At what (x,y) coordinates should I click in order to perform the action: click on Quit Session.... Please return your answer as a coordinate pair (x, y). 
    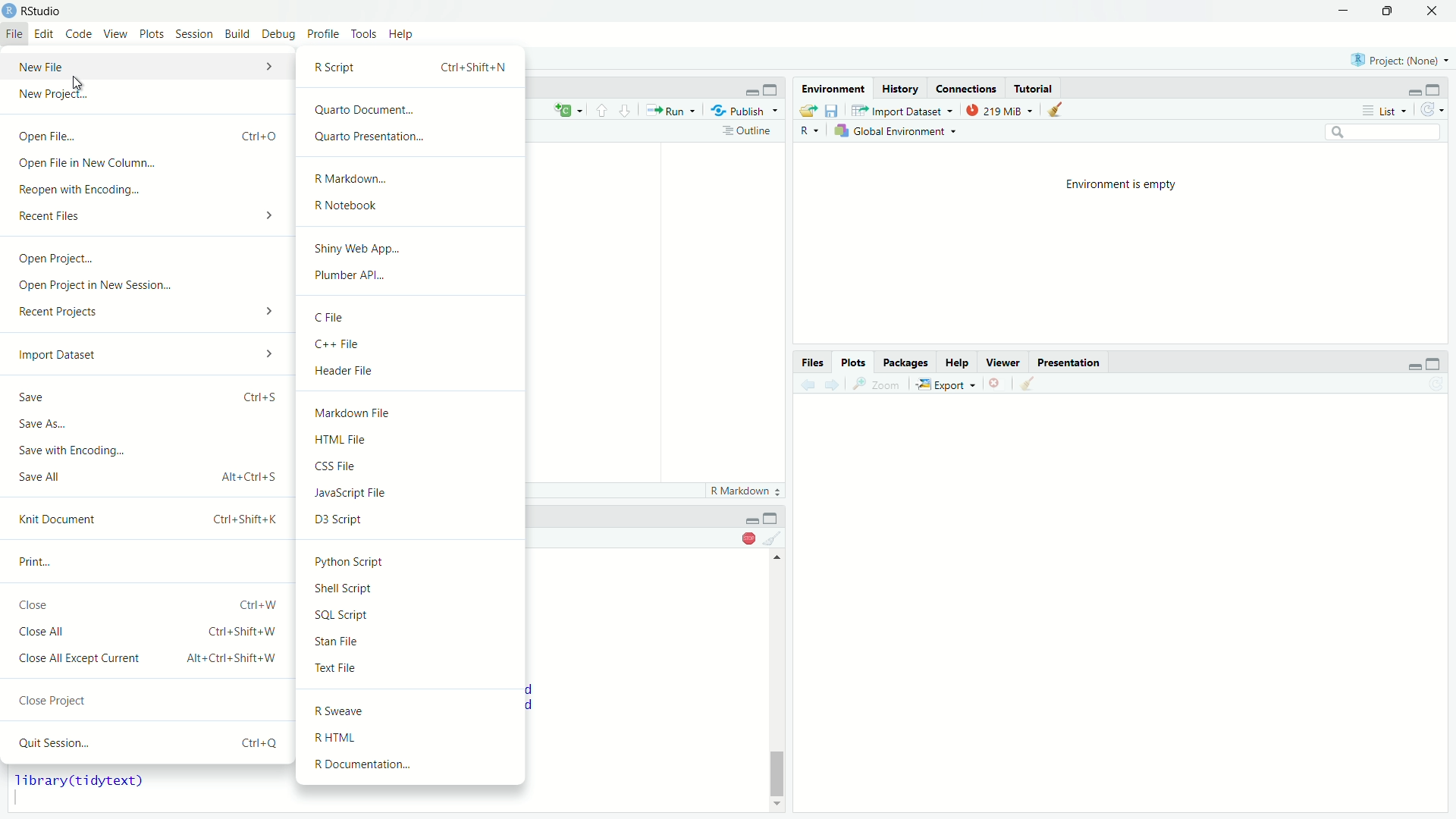
    Looking at the image, I should click on (147, 741).